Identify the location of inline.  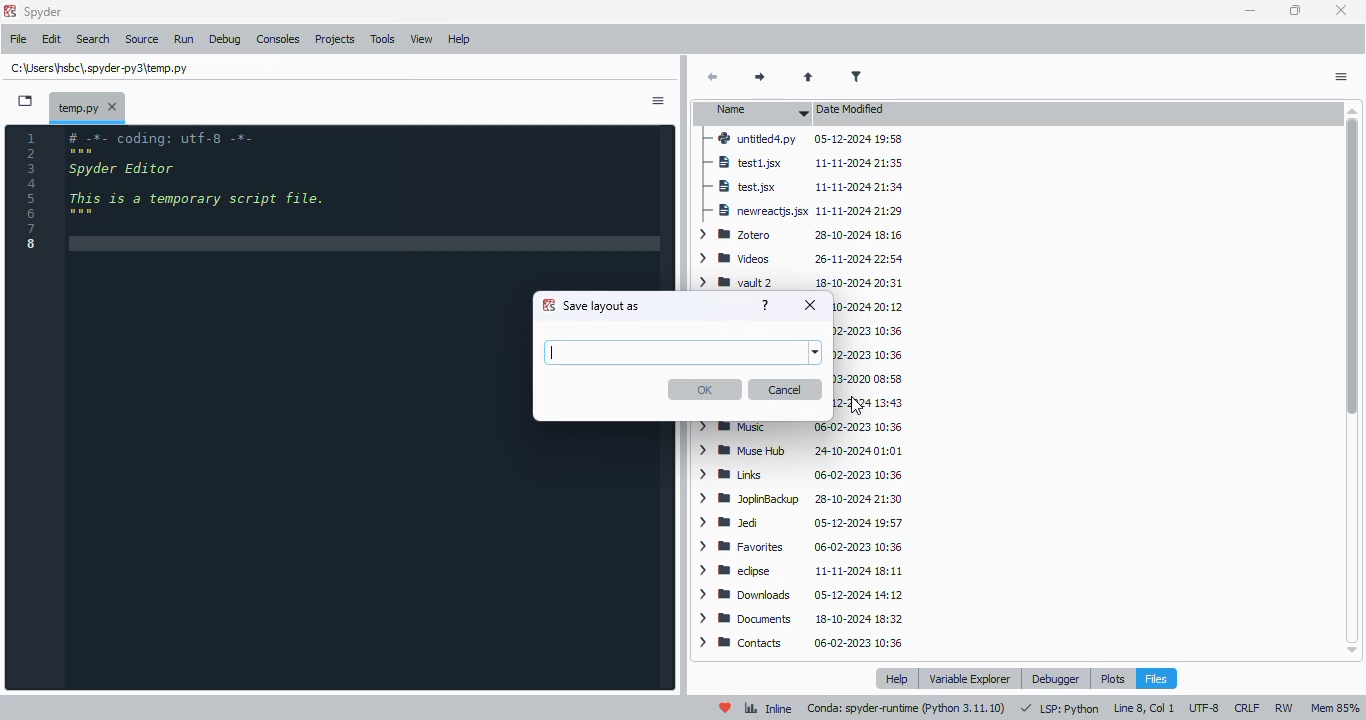
(768, 709).